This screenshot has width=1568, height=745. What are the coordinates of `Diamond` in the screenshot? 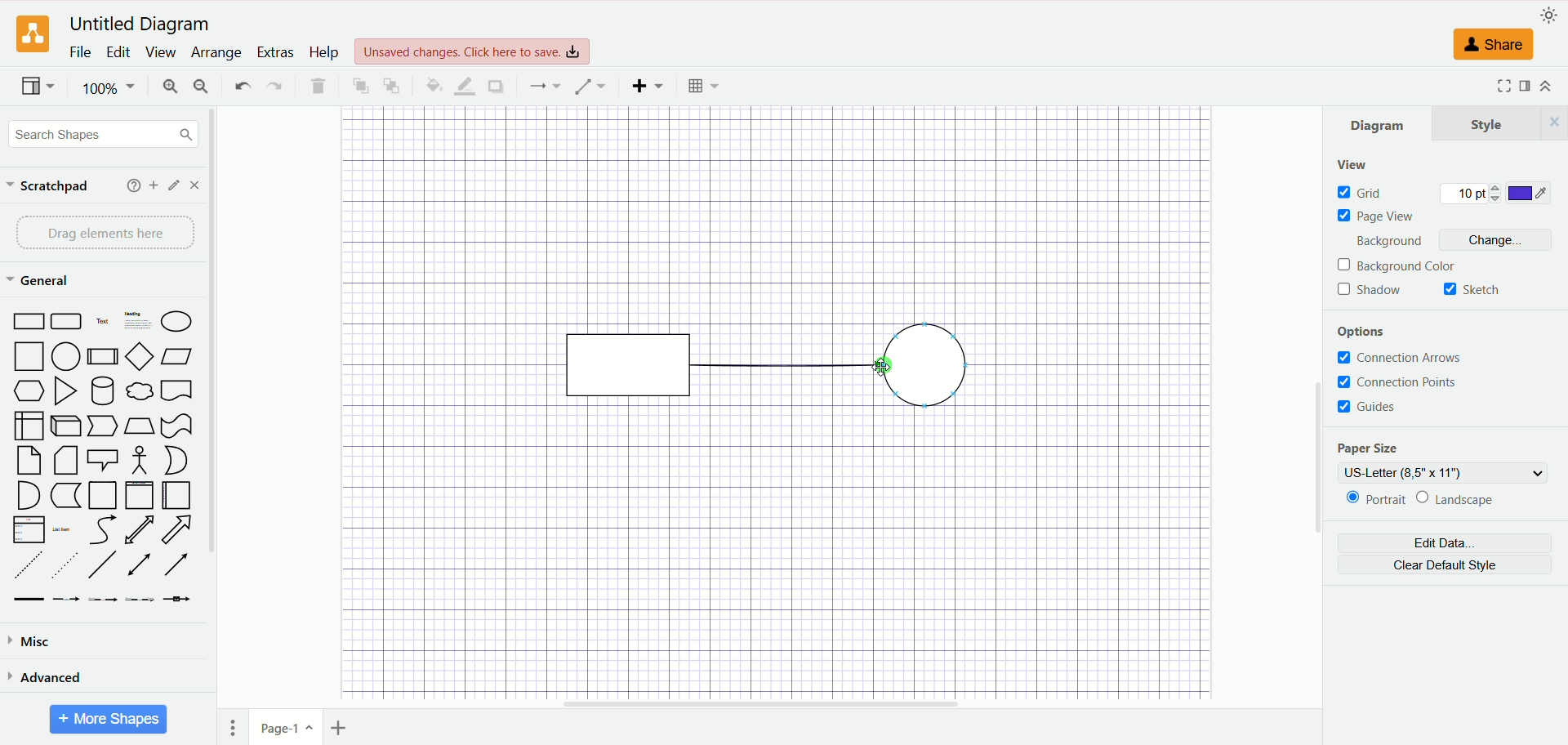 It's located at (140, 358).